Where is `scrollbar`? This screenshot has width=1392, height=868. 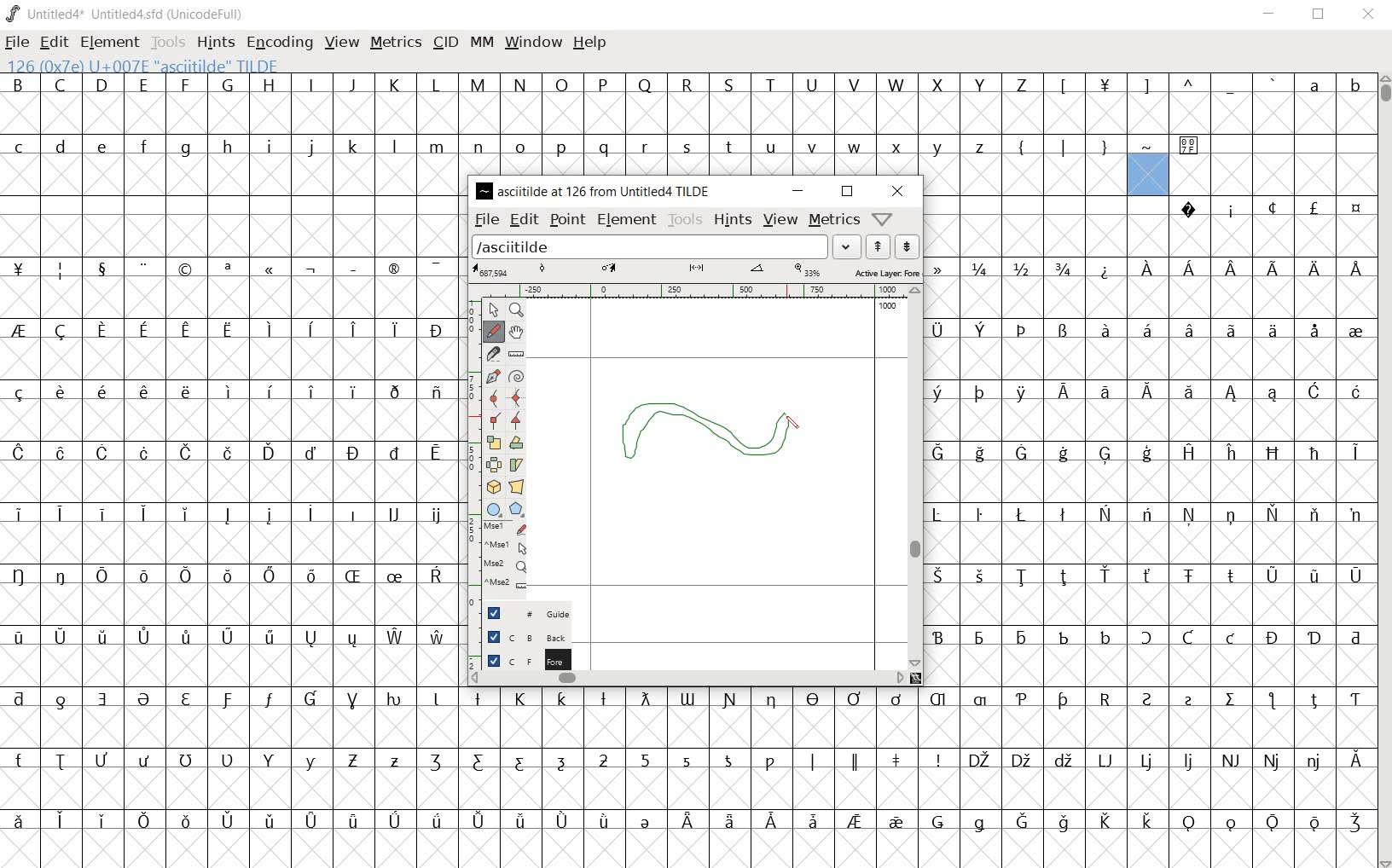 scrollbar is located at coordinates (688, 678).